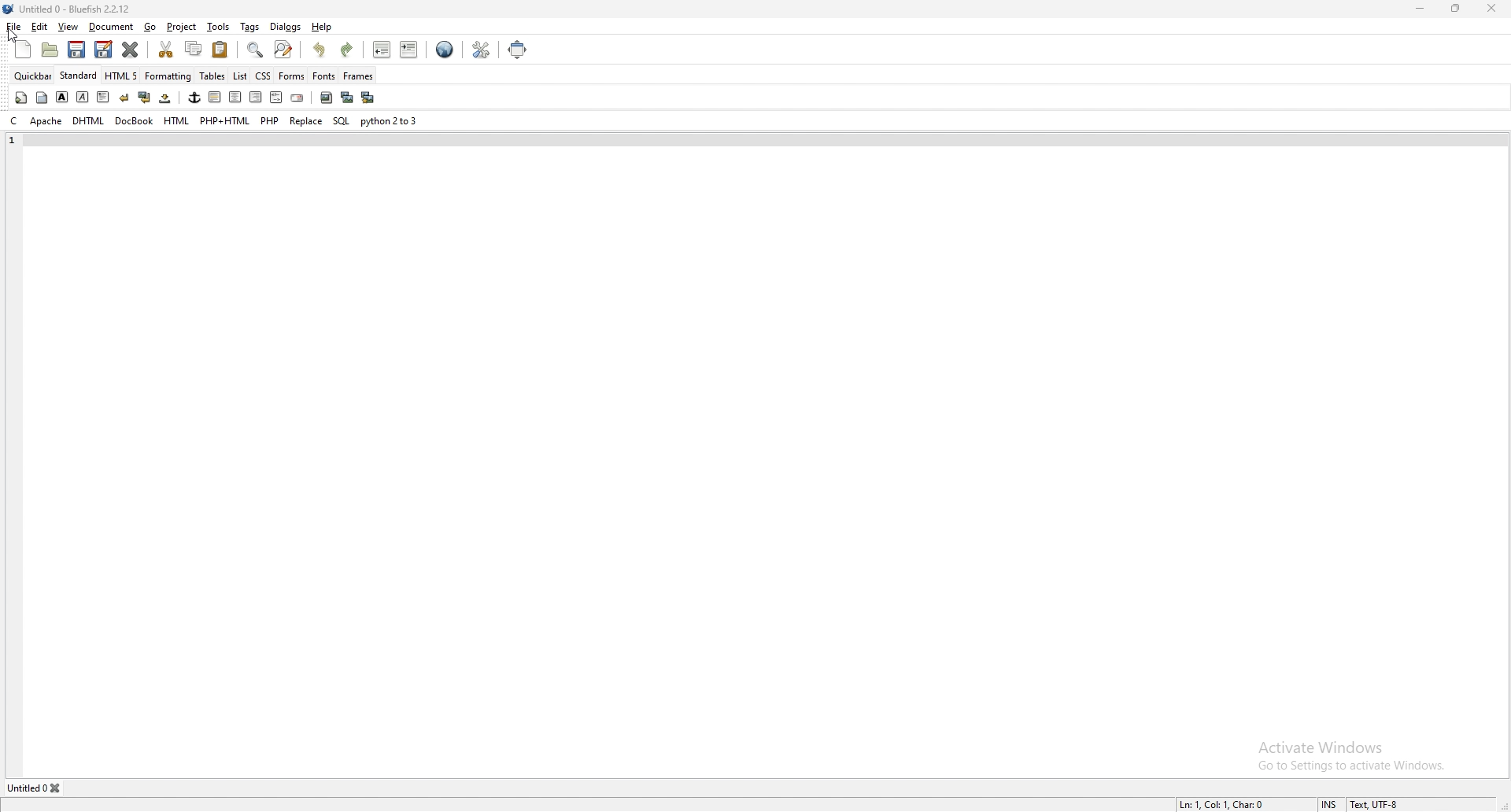 The height and width of the screenshot is (812, 1511). I want to click on cursor, so click(14, 36).